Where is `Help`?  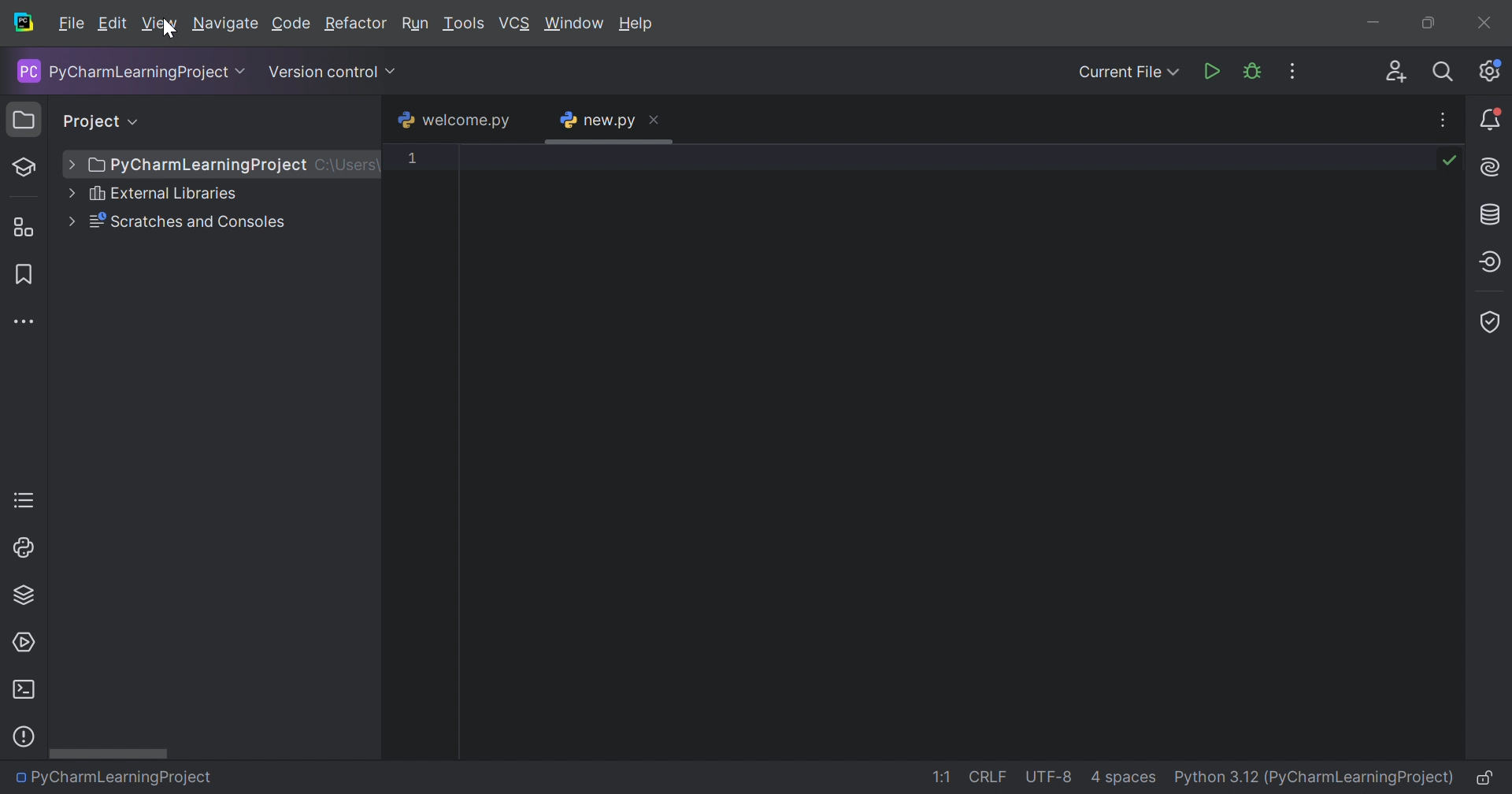 Help is located at coordinates (23, 737).